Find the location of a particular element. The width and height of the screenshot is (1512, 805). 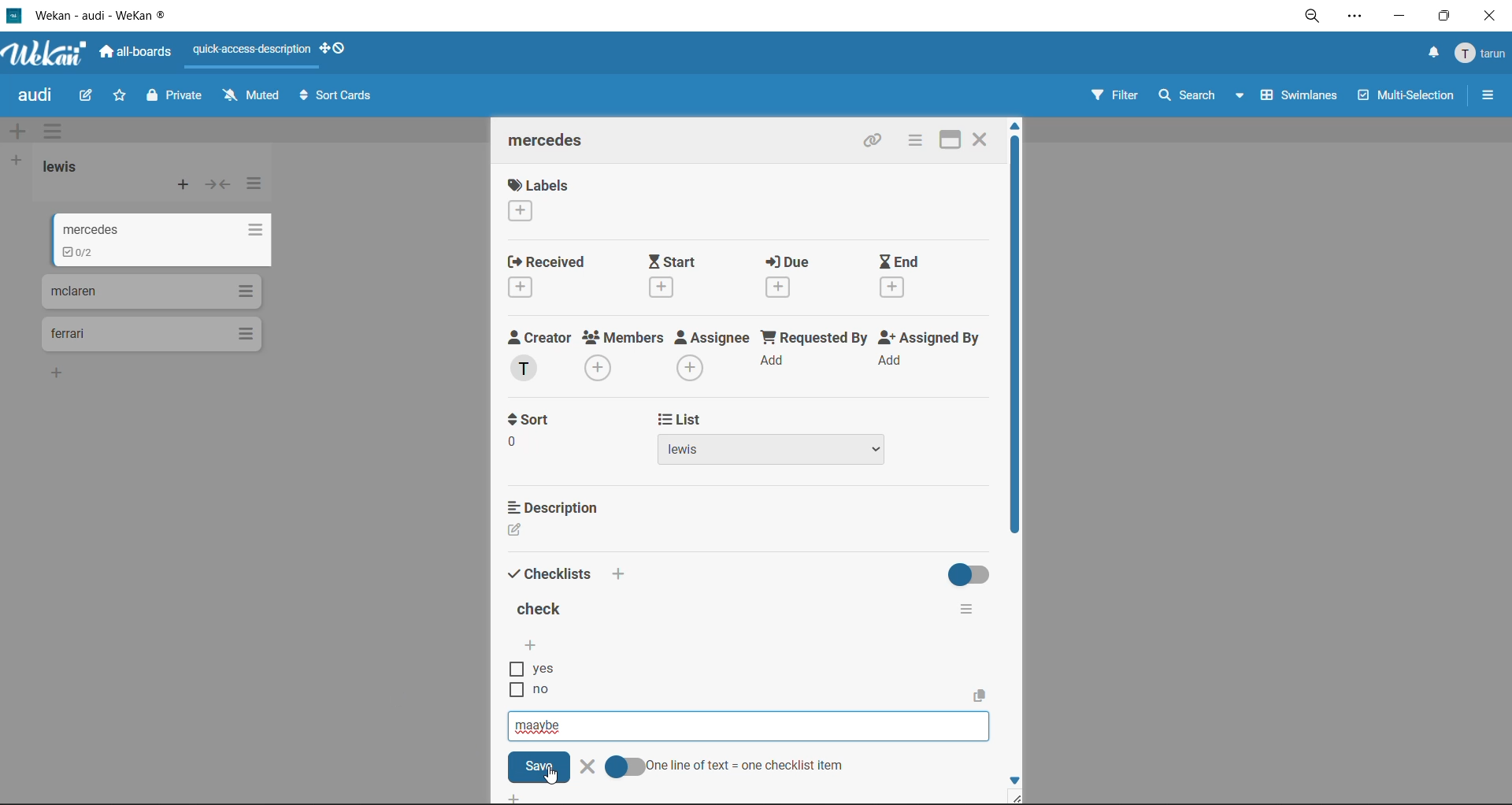

Copy is located at coordinates (981, 696).